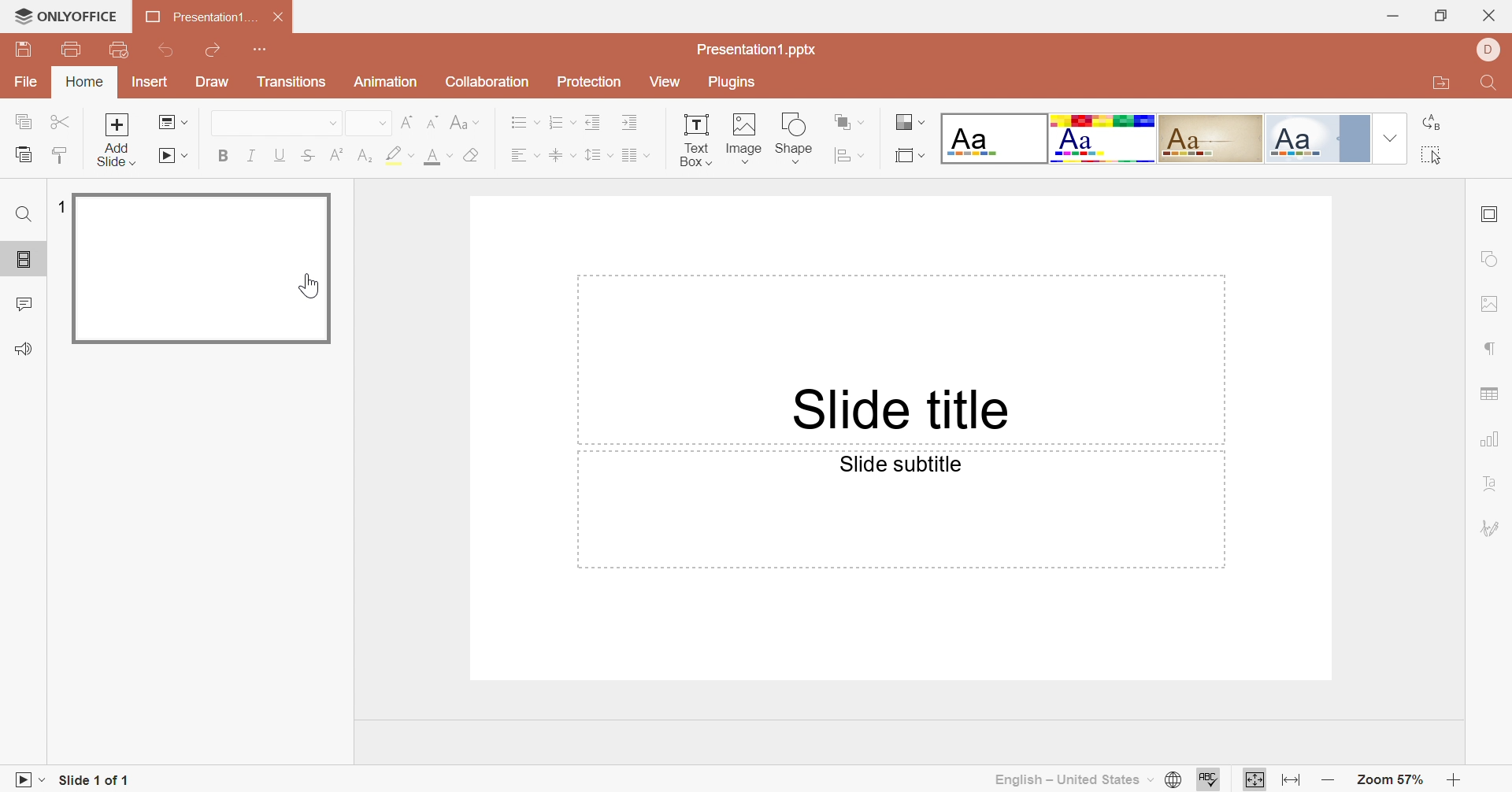 The image size is (1512, 792). Describe the element at coordinates (117, 142) in the screenshot. I see `Add Slide` at that location.